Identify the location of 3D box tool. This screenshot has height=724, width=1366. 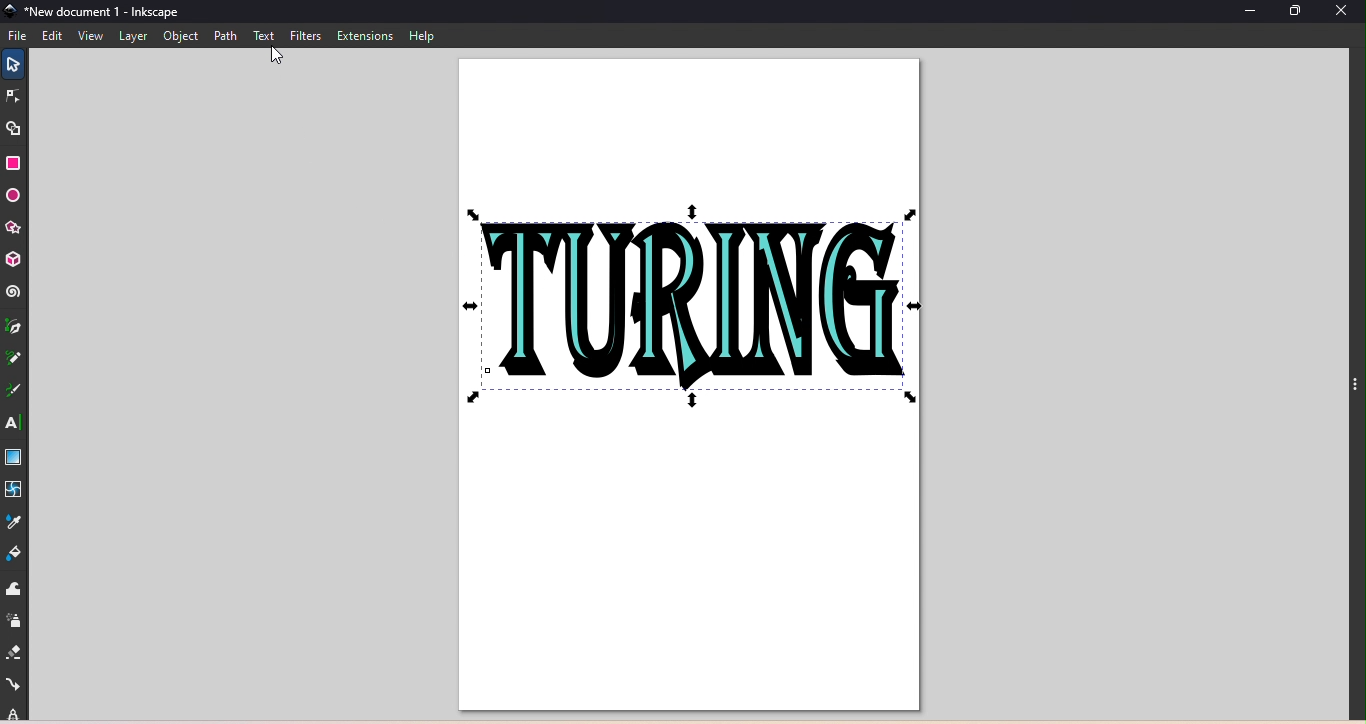
(15, 258).